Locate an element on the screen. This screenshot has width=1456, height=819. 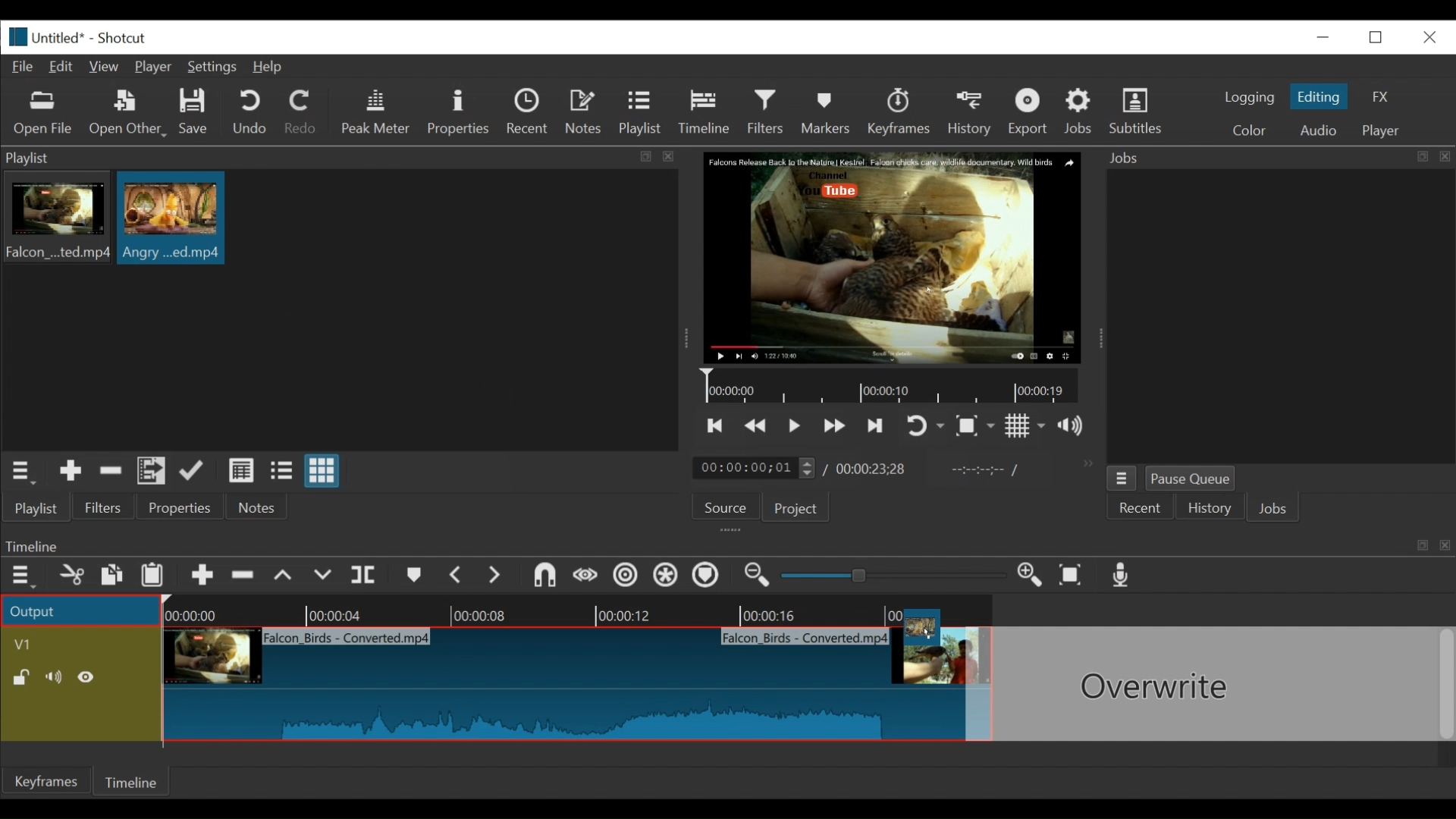
Pause Queue is located at coordinates (1191, 482).